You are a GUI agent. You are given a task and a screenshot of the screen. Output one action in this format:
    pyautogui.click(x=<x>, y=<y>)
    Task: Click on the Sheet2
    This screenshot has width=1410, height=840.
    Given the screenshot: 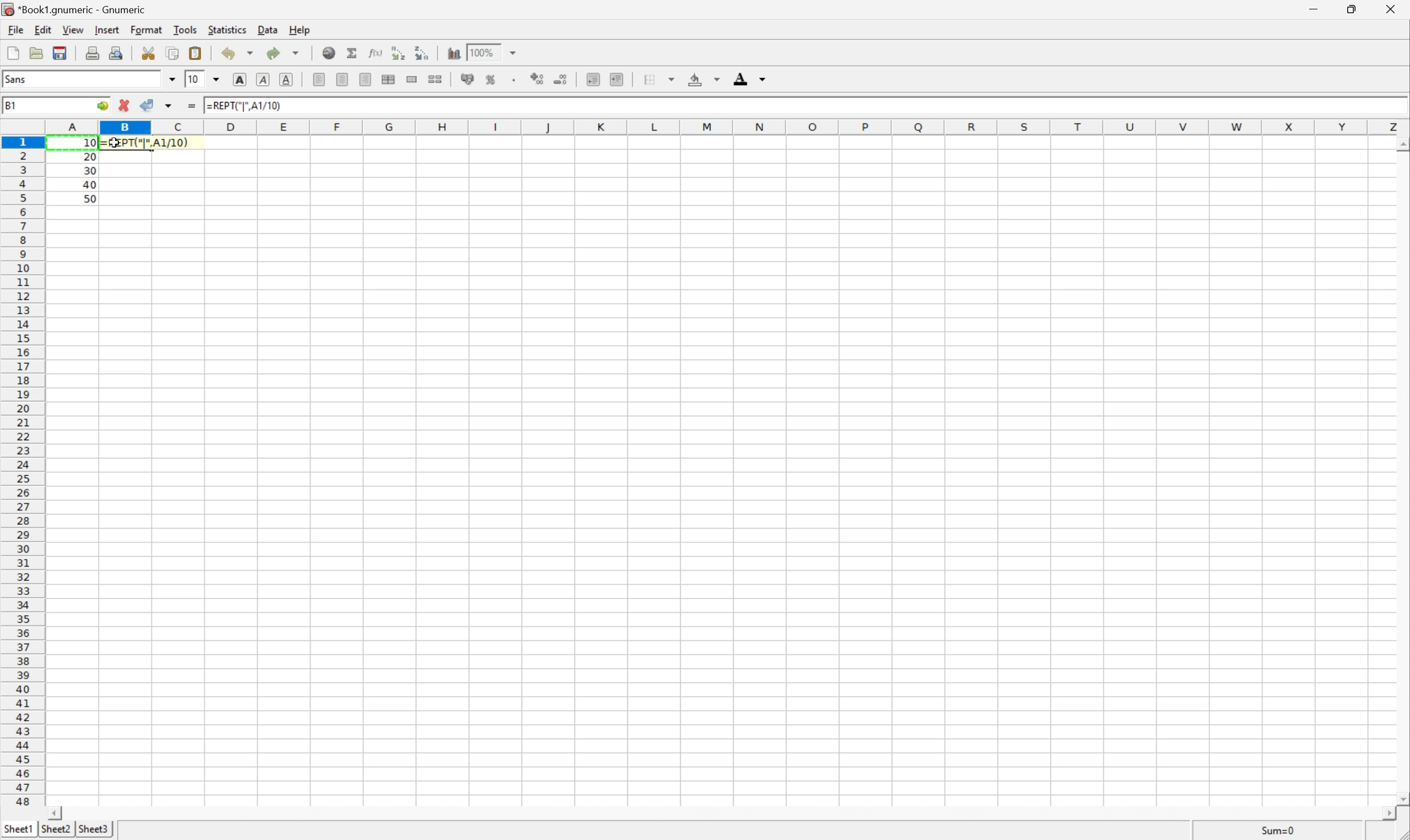 What is the action you would take?
    pyautogui.click(x=57, y=829)
    